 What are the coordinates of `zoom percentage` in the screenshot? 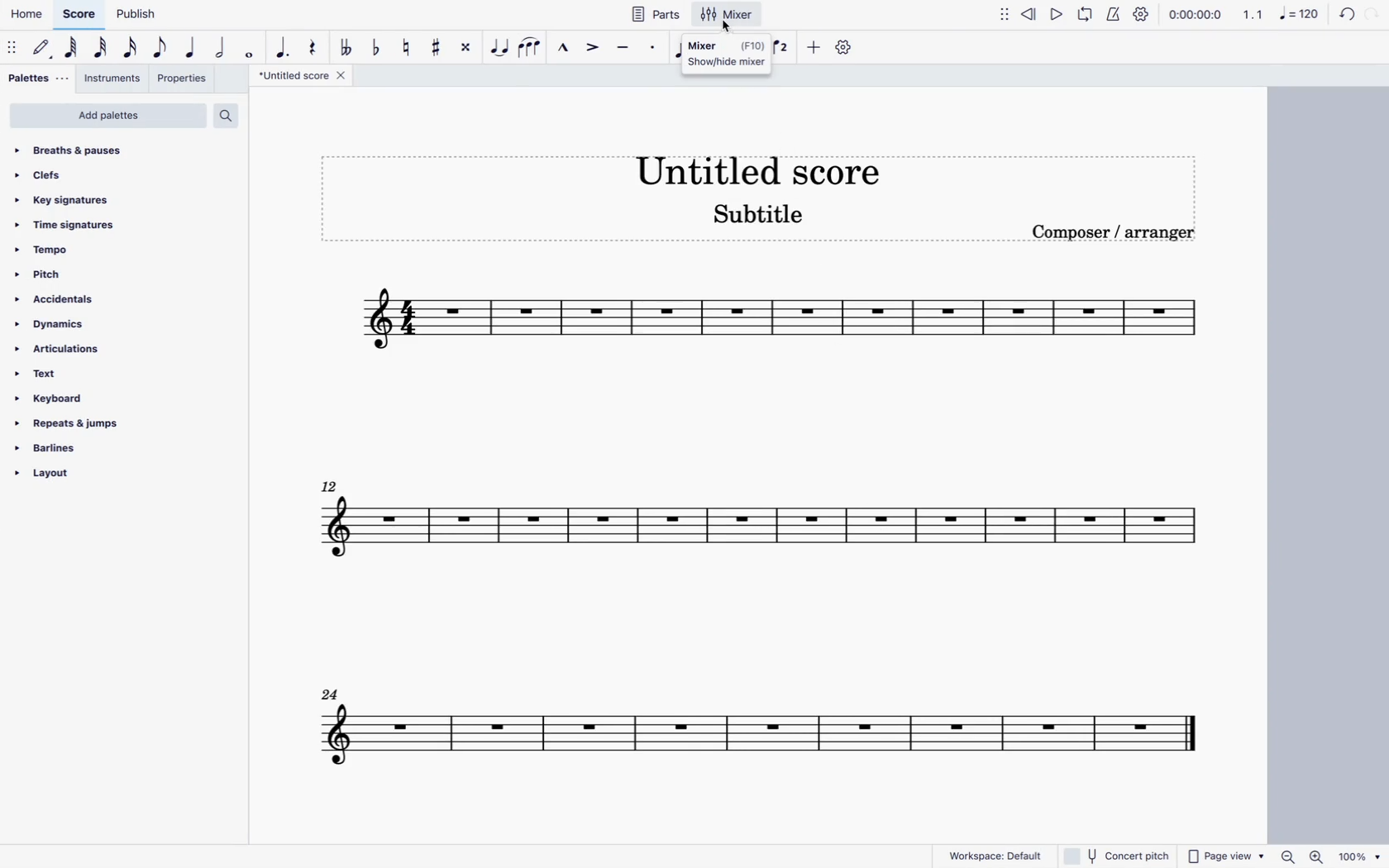 It's located at (1361, 853).